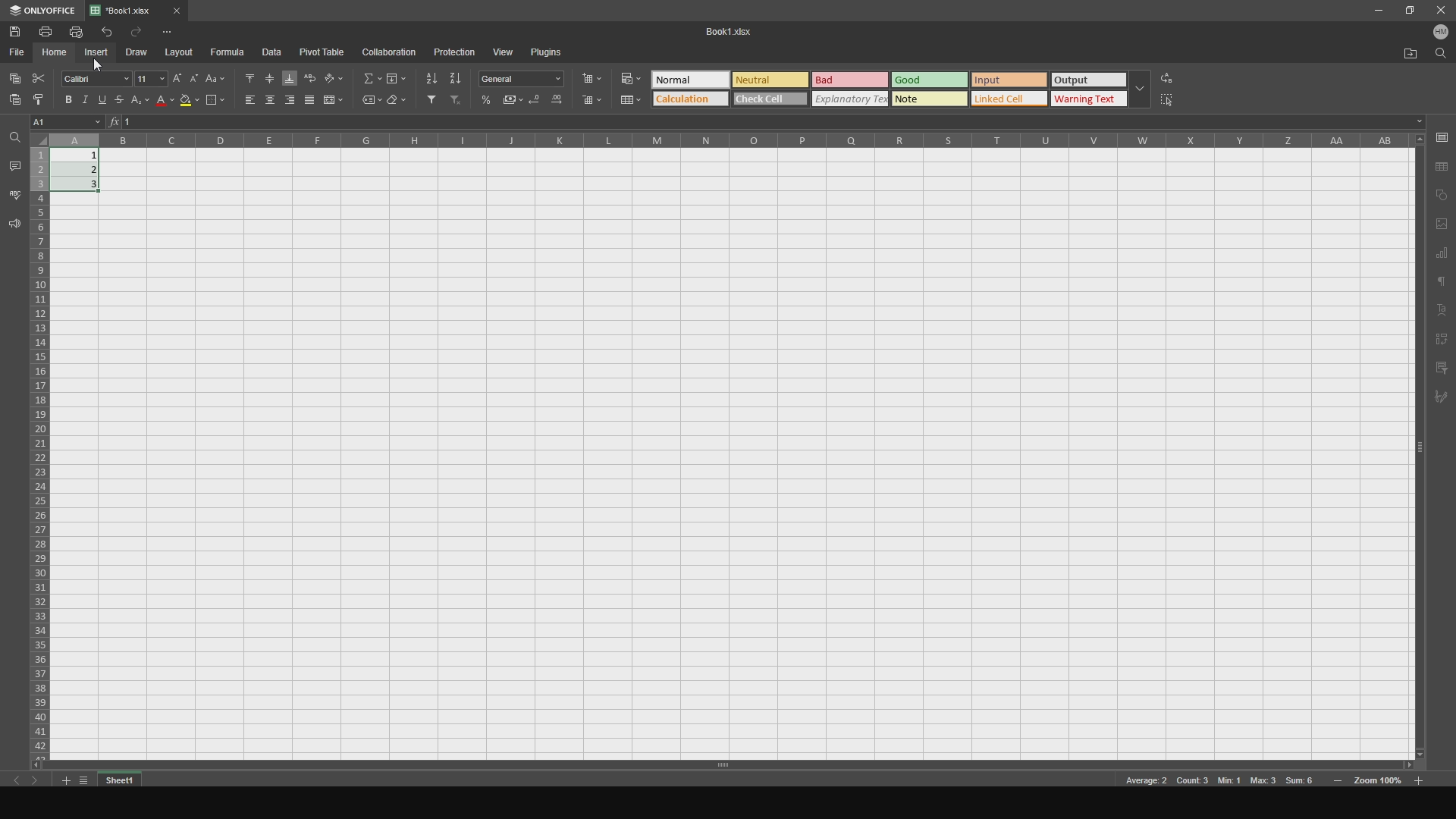 This screenshot has width=1456, height=819. I want to click on paste, so click(12, 104).